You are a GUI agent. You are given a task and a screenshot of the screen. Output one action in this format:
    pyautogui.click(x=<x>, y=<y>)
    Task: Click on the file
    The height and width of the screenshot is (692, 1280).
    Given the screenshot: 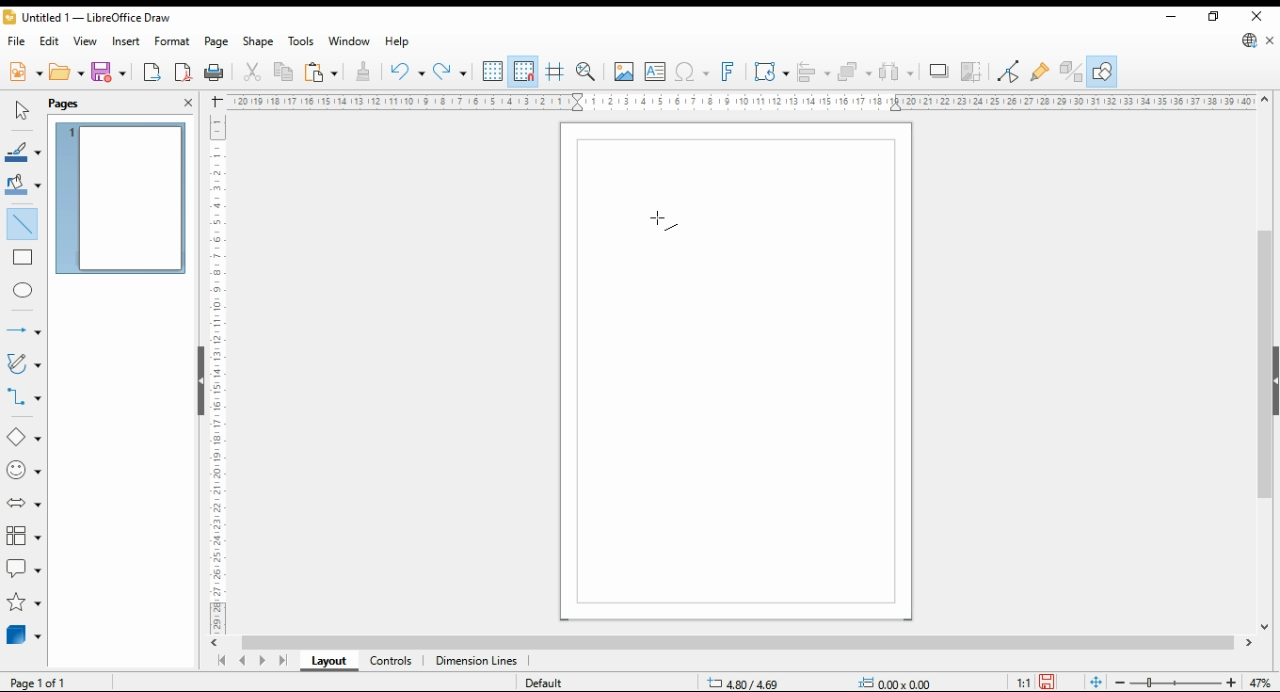 What is the action you would take?
    pyautogui.click(x=17, y=42)
    